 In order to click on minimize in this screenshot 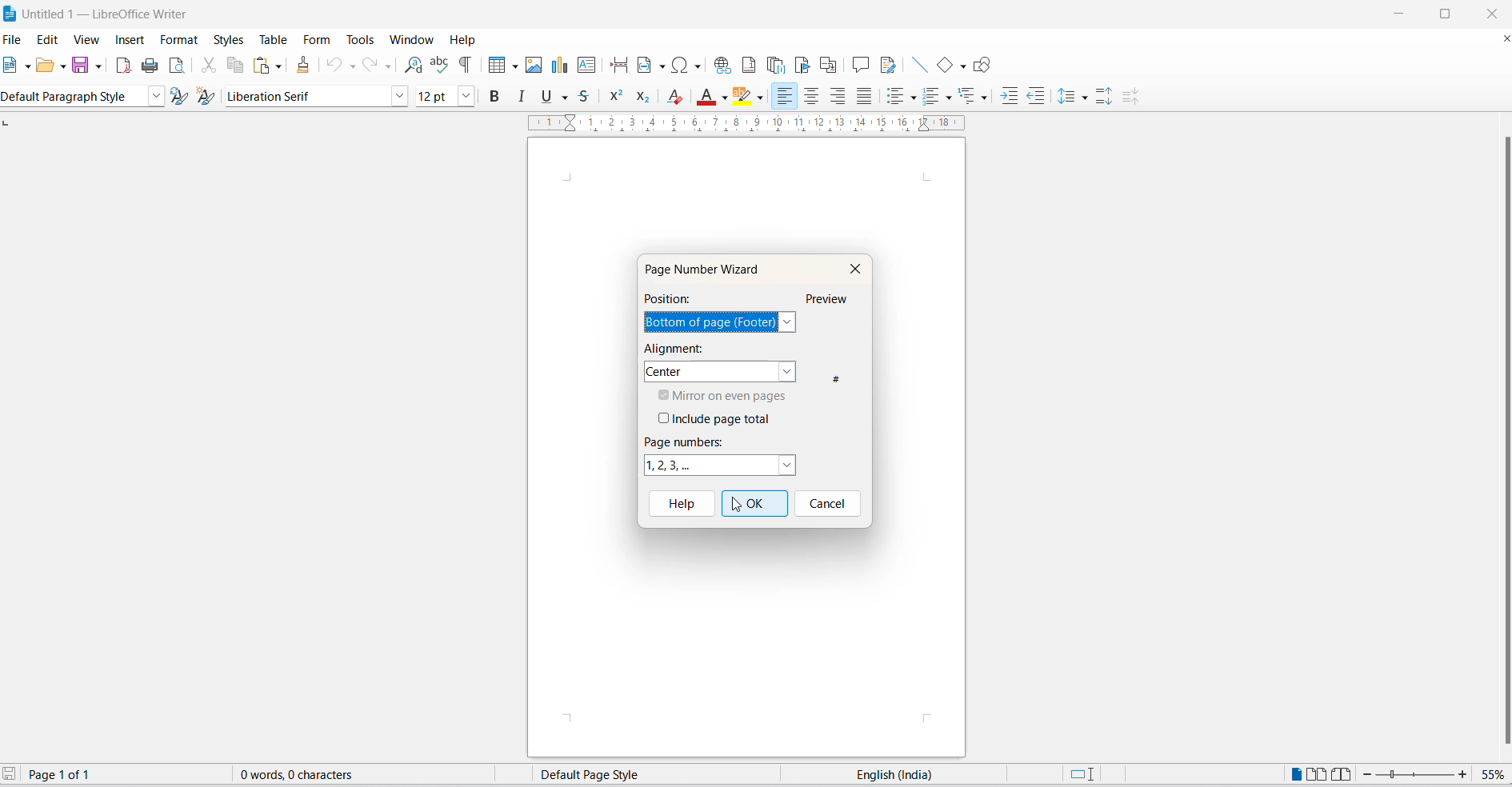, I will do `click(1404, 14)`.